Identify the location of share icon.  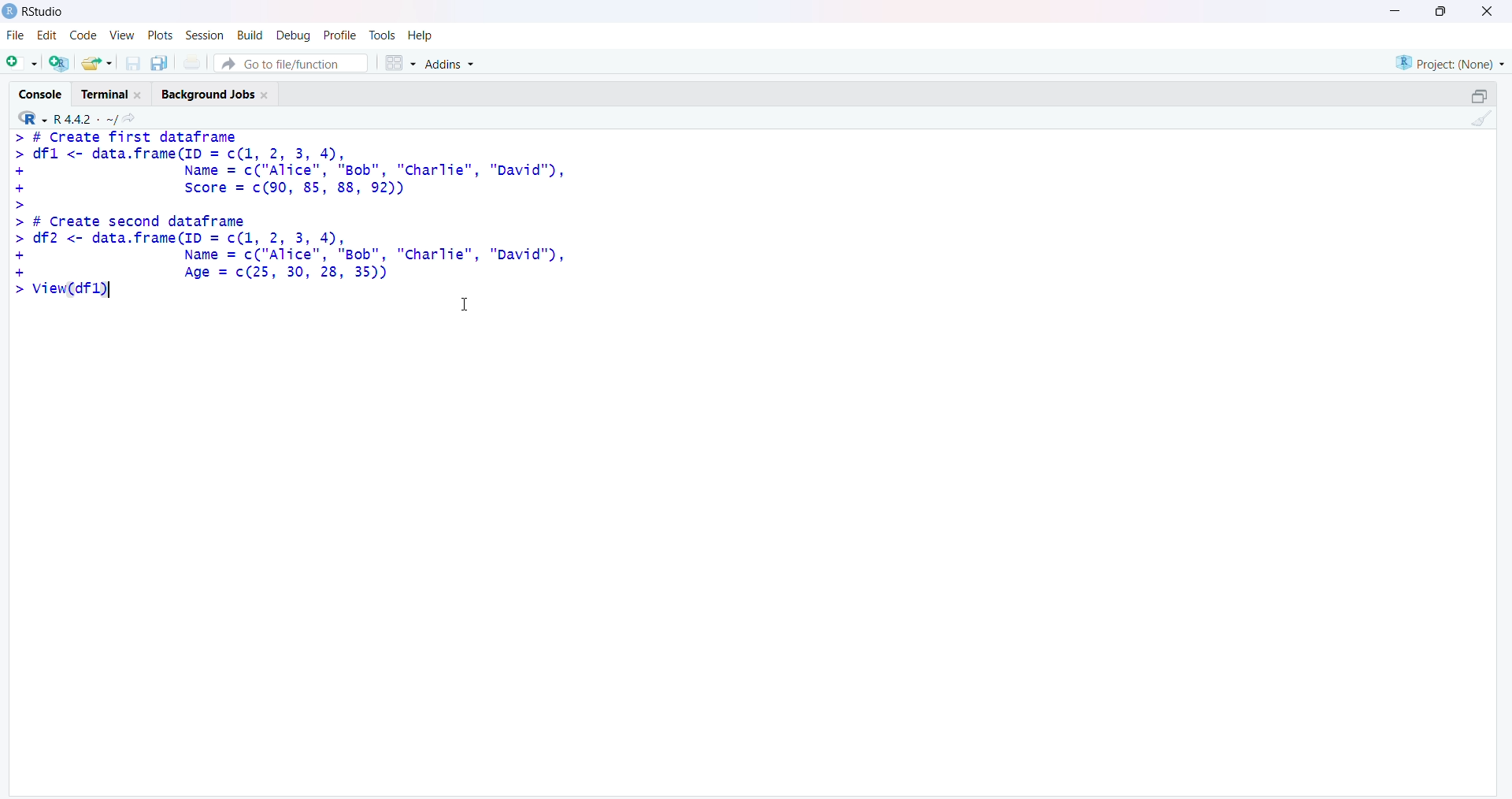
(130, 118).